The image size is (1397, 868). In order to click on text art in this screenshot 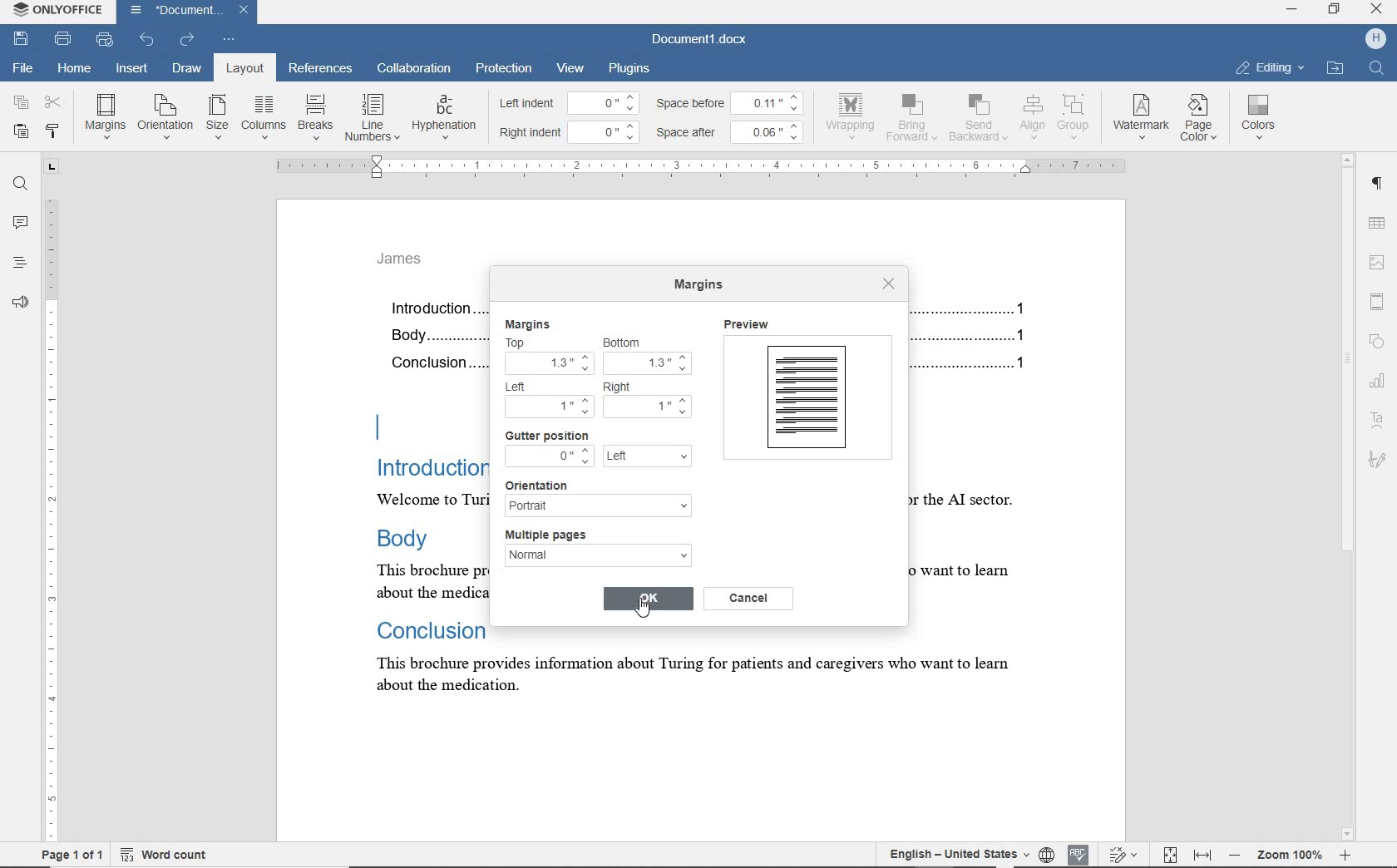, I will do `click(1377, 423)`.